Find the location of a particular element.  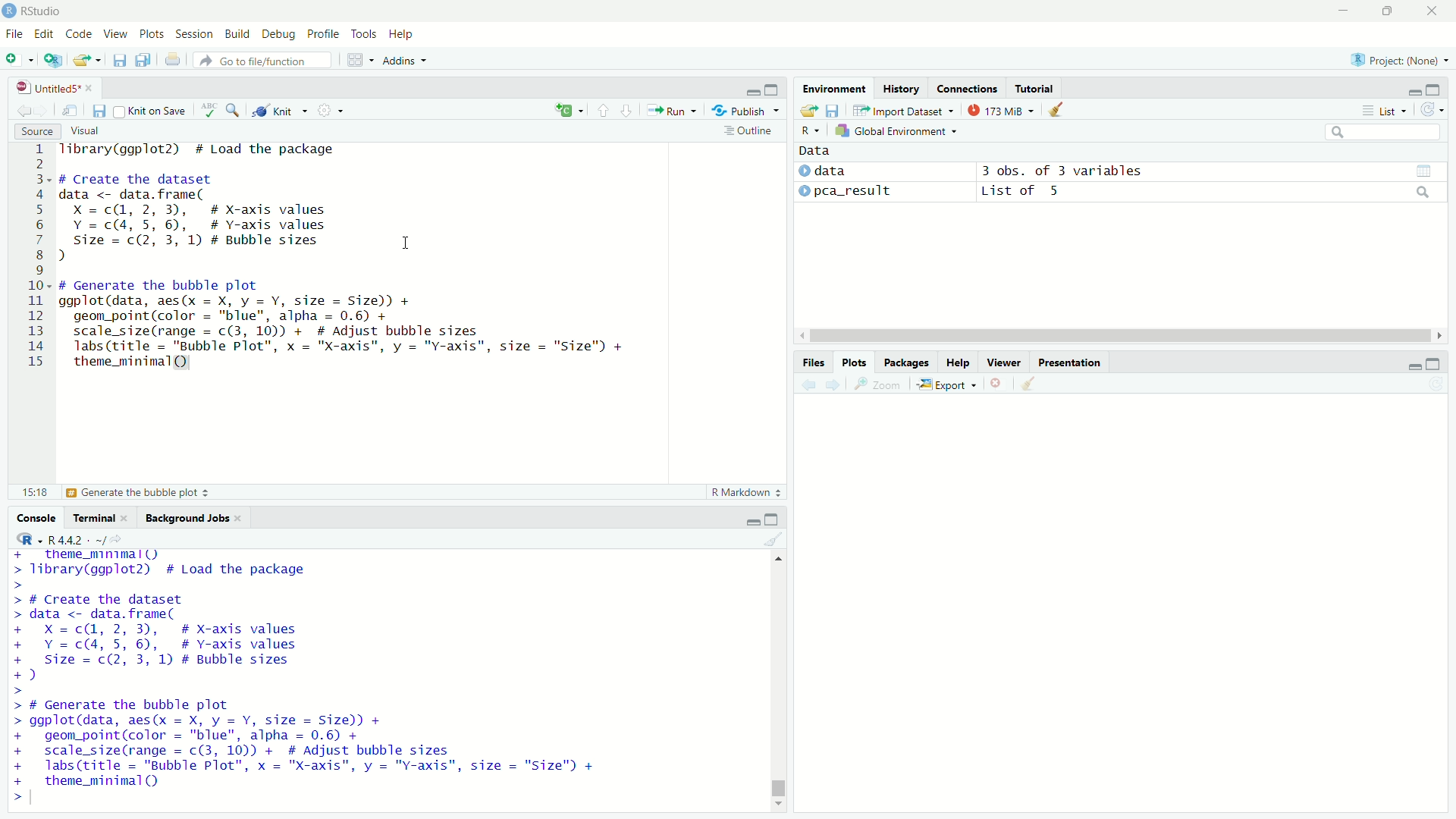

visual is located at coordinates (87, 132).